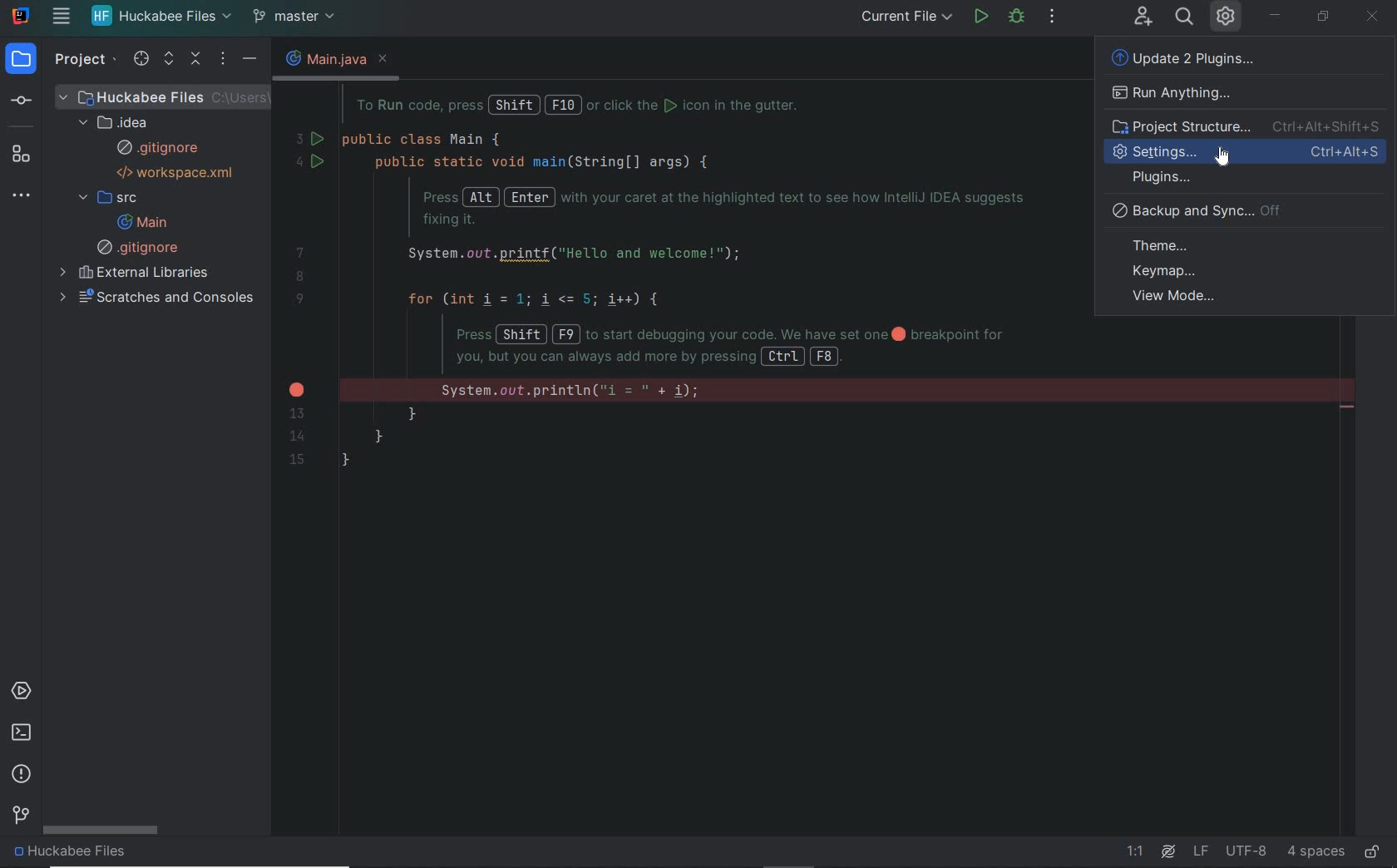 Image resolution: width=1397 pixels, height=868 pixels. Describe the element at coordinates (165, 96) in the screenshot. I see `project file name` at that location.